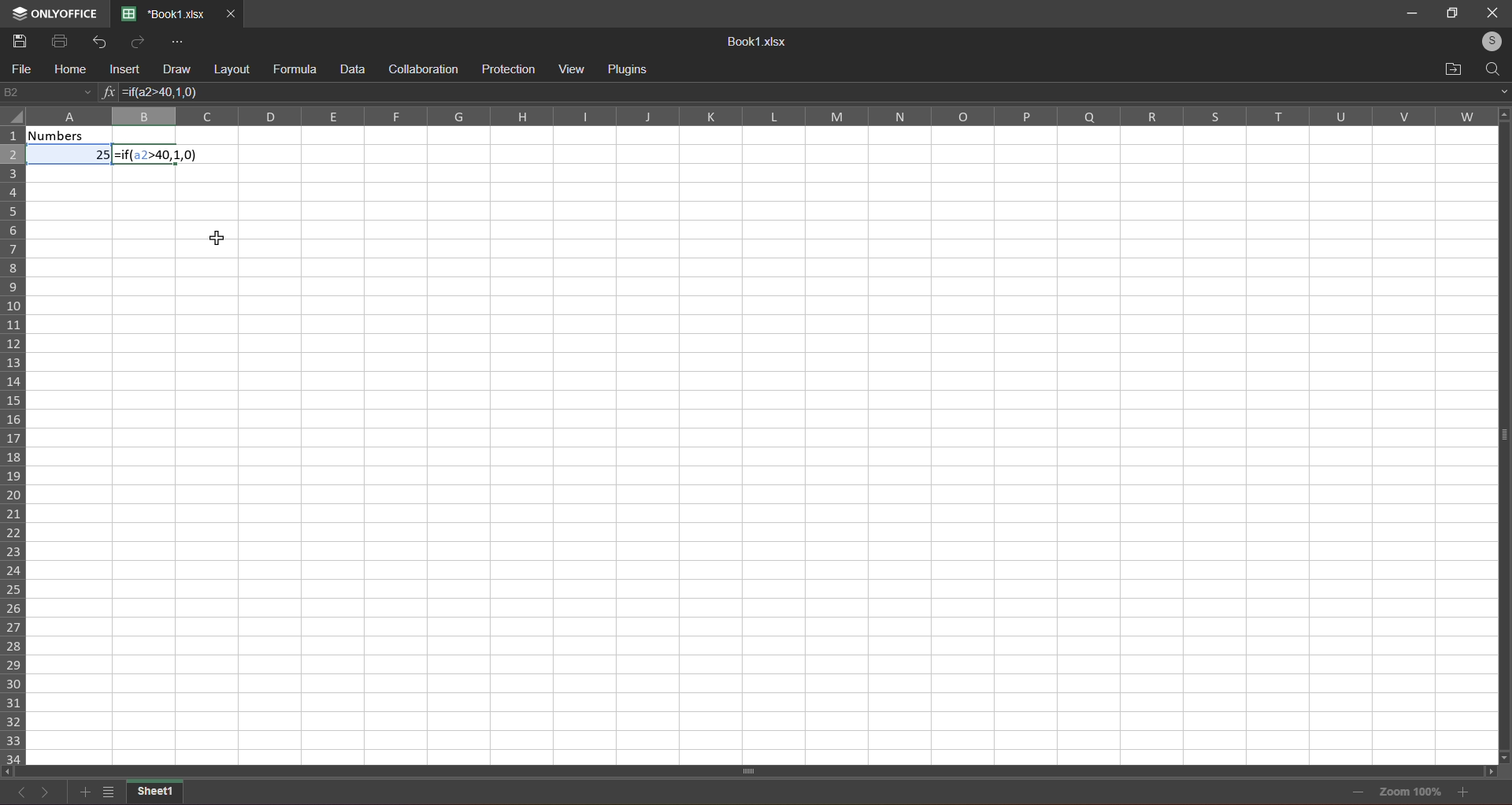  Describe the element at coordinates (231, 13) in the screenshot. I see `close tab` at that location.